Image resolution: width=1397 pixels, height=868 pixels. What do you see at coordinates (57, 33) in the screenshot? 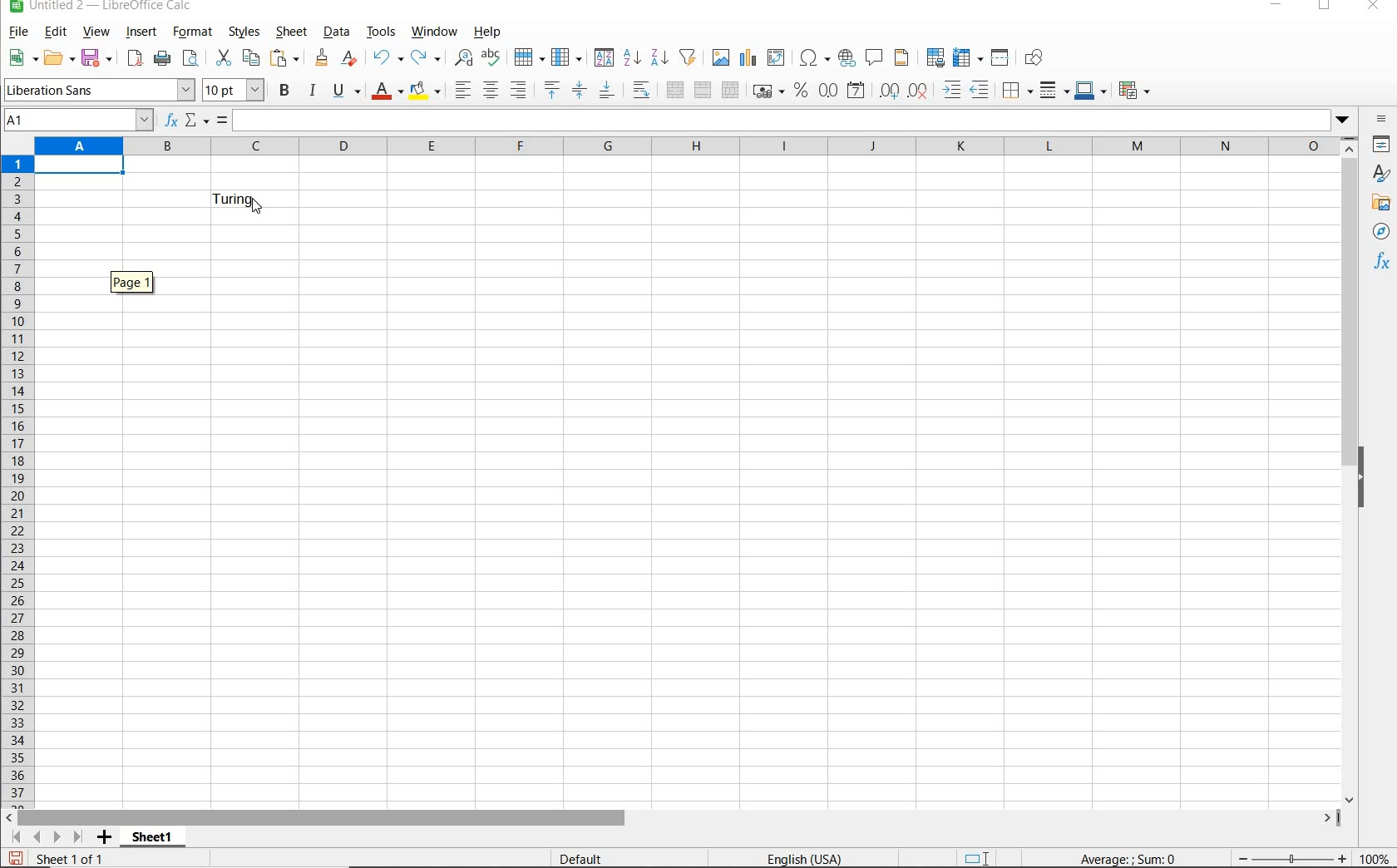
I see `EDIT` at bounding box center [57, 33].